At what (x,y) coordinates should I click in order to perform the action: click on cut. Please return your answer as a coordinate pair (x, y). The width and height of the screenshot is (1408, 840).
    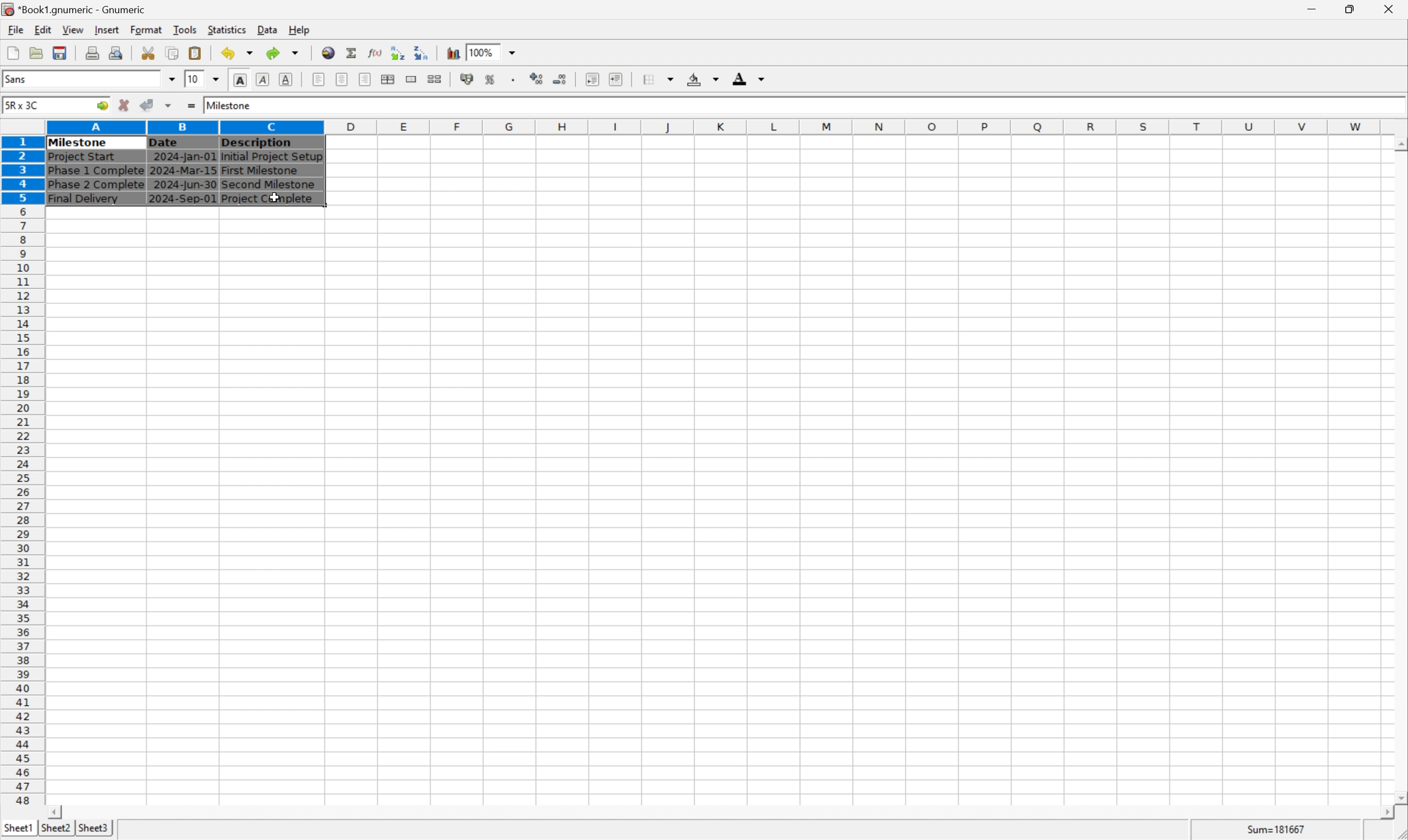
    Looking at the image, I should click on (149, 53).